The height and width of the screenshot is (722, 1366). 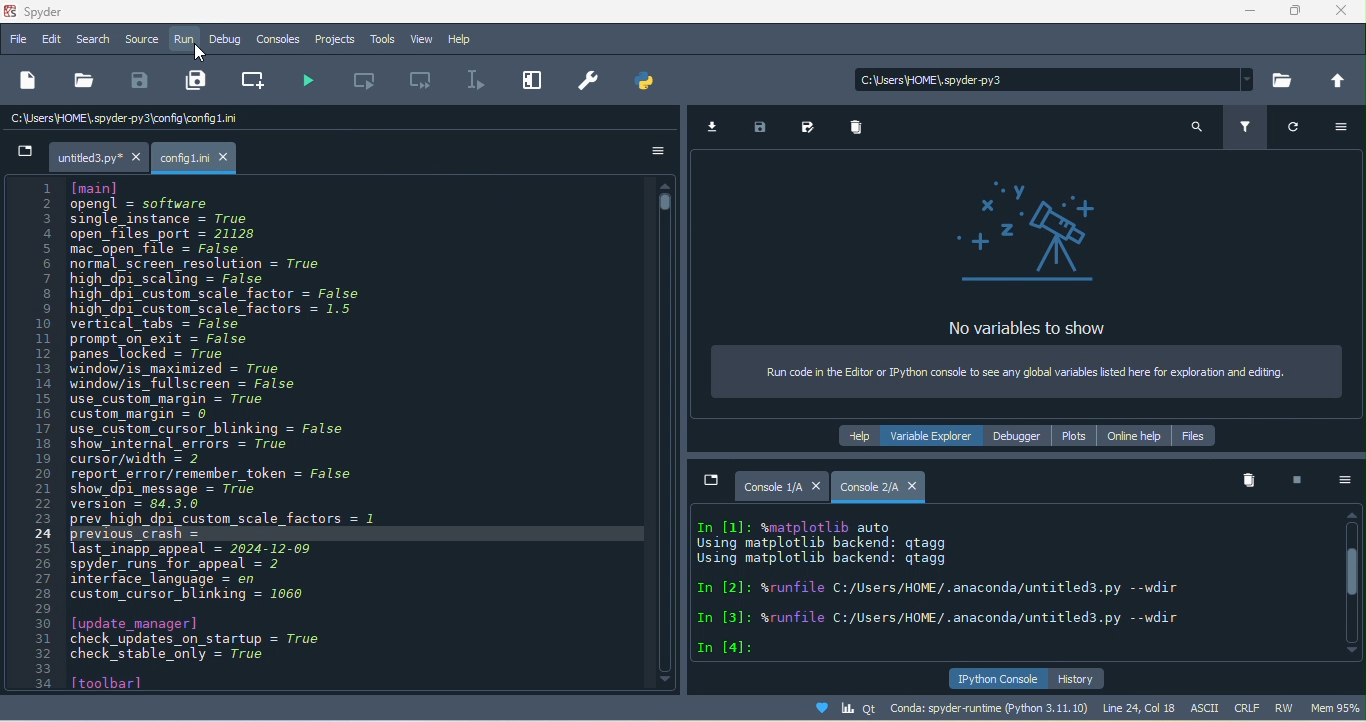 I want to click on , so click(x=663, y=364).